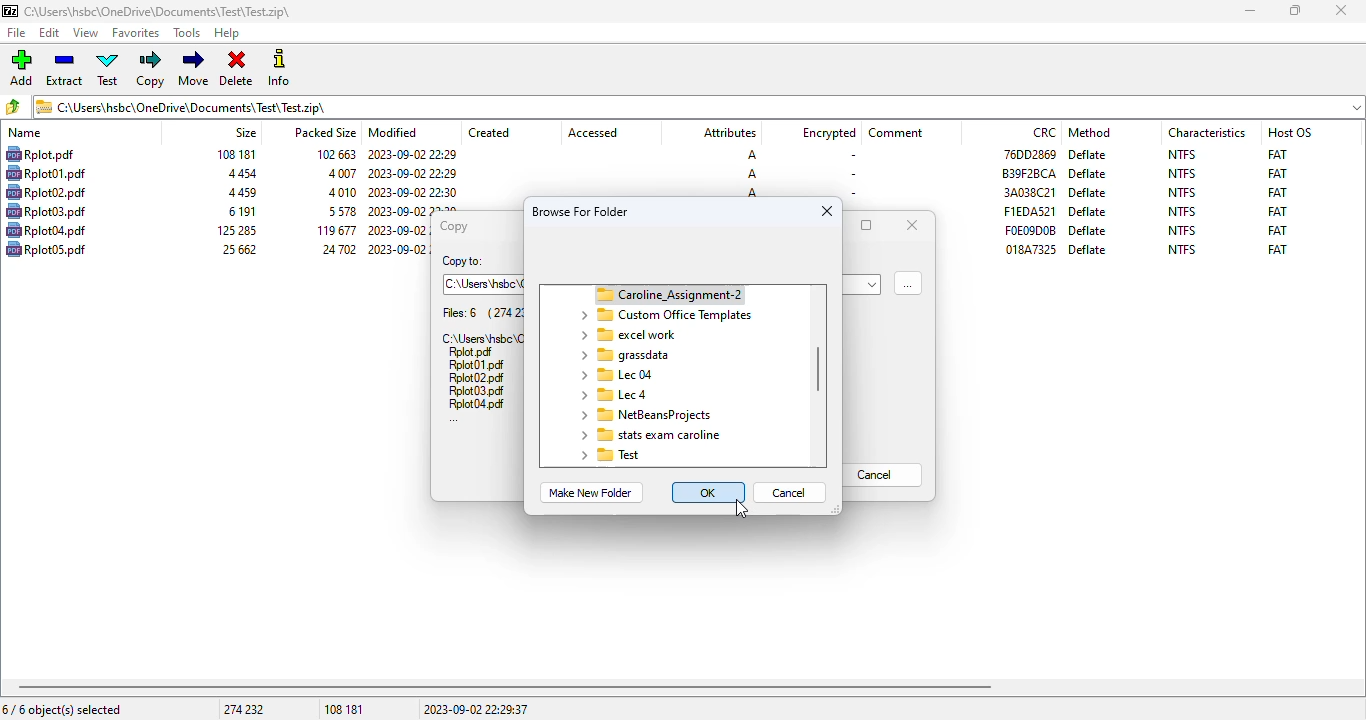  What do you see at coordinates (21, 68) in the screenshot?
I see `add` at bounding box center [21, 68].